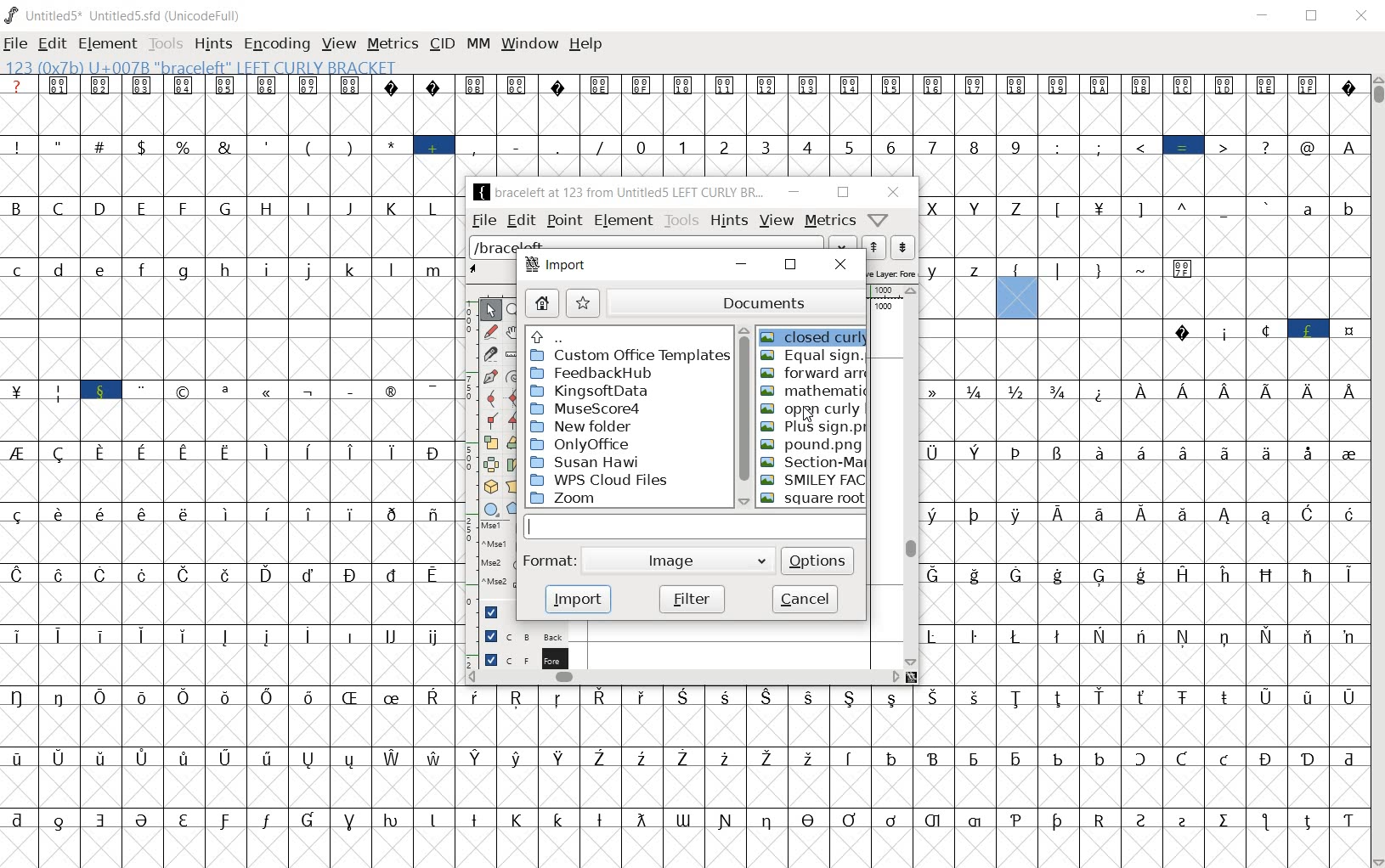  What do you see at coordinates (815, 462) in the screenshot?
I see `Section-Mark` at bounding box center [815, 462].